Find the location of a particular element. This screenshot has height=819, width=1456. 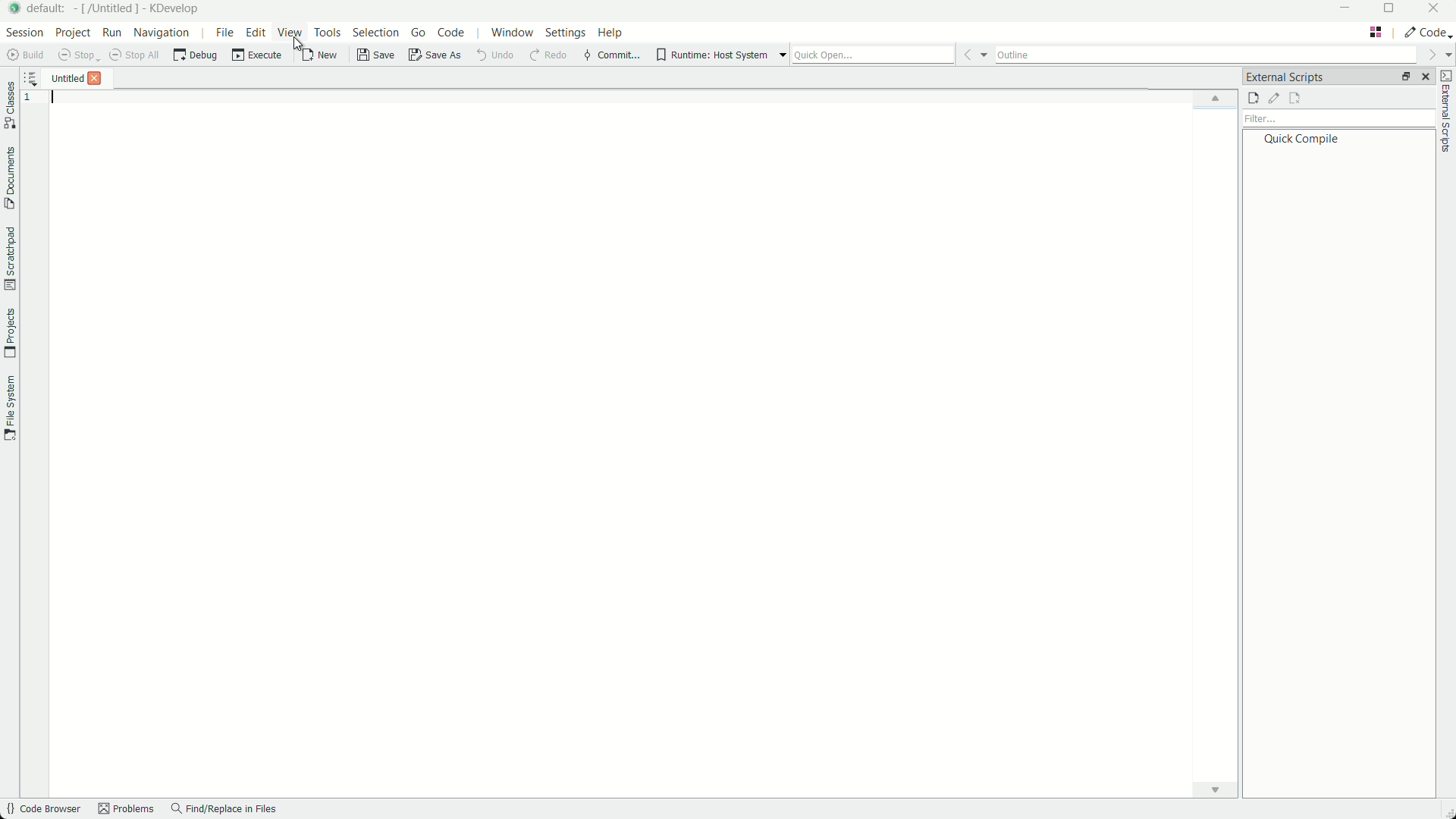

sort all opened document is located at coordinates (30, 77).